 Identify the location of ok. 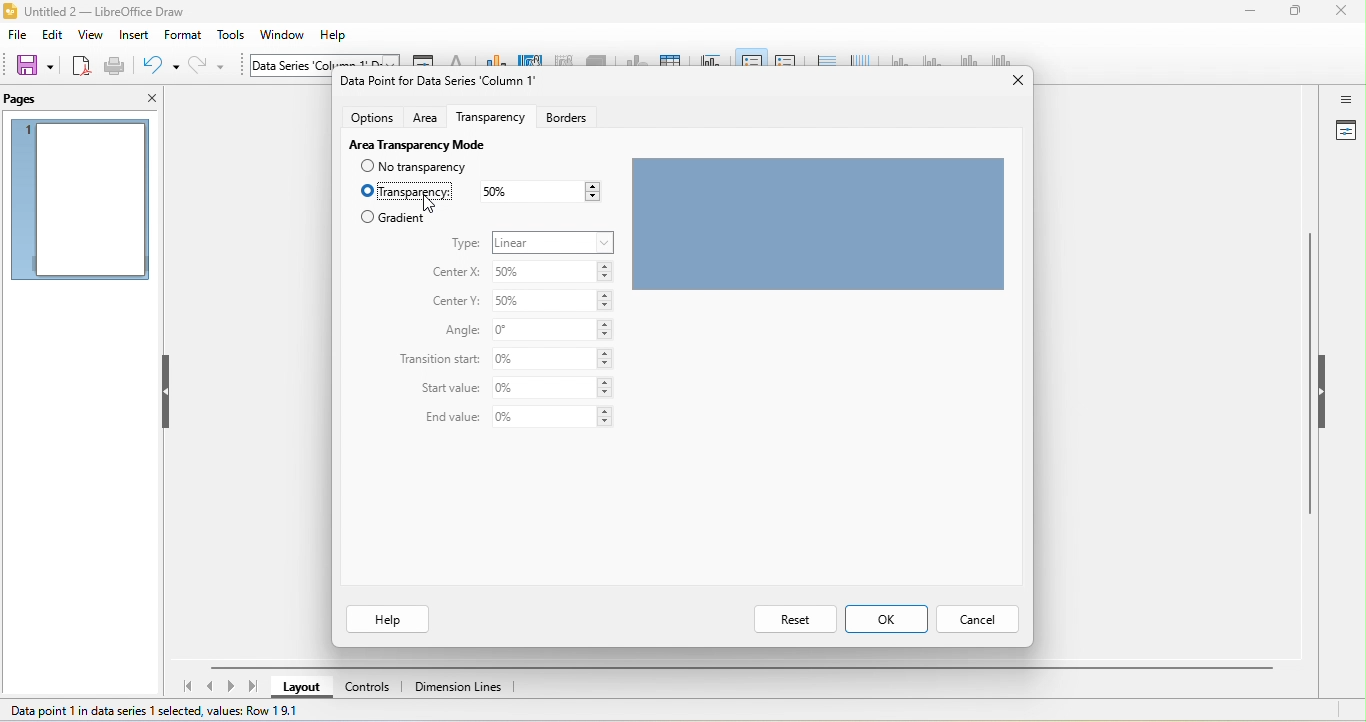
(889, 619).